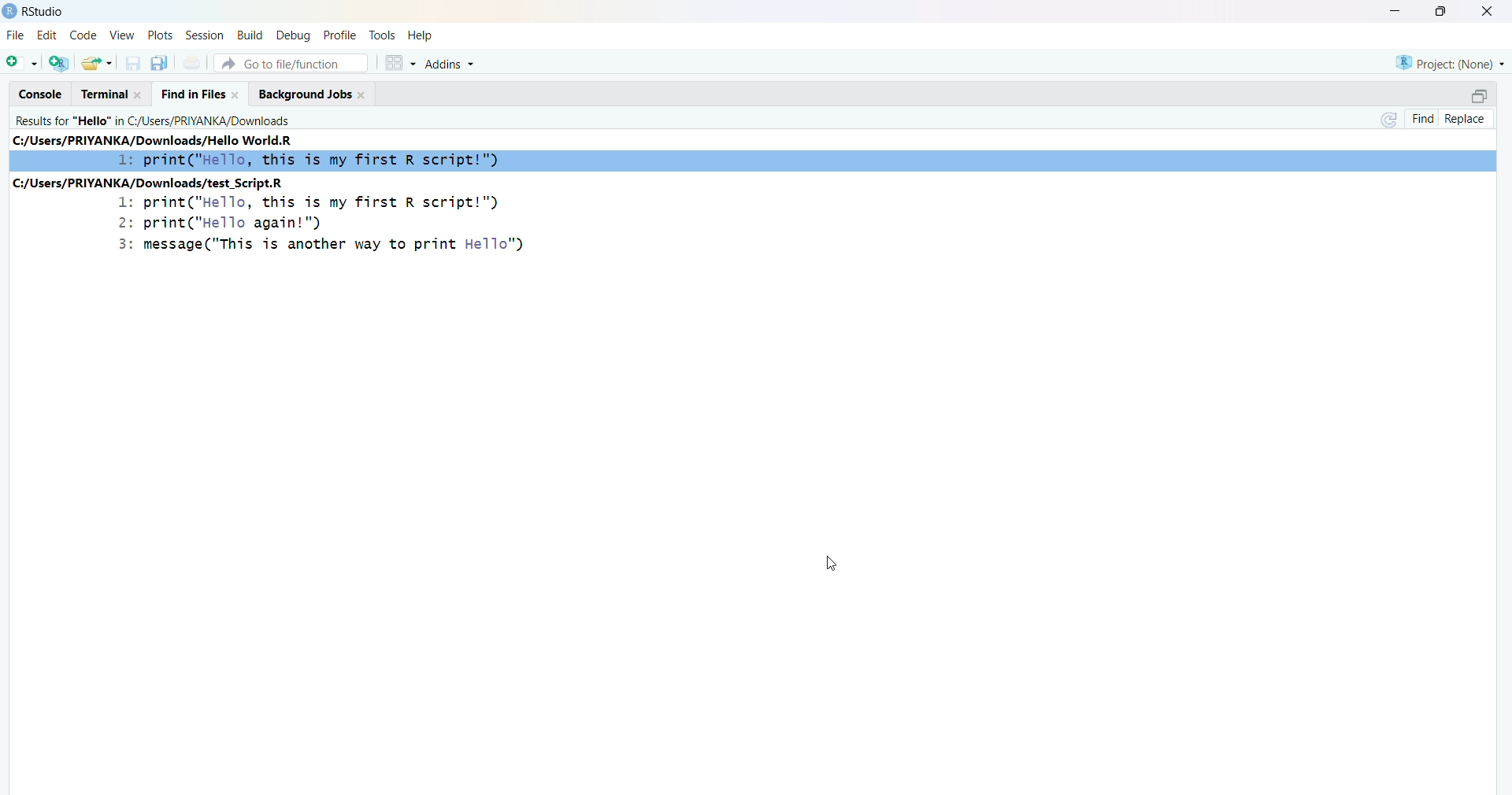  Describe the element at coordinates (252, 35) in the screenshot. I see `build` at that location.